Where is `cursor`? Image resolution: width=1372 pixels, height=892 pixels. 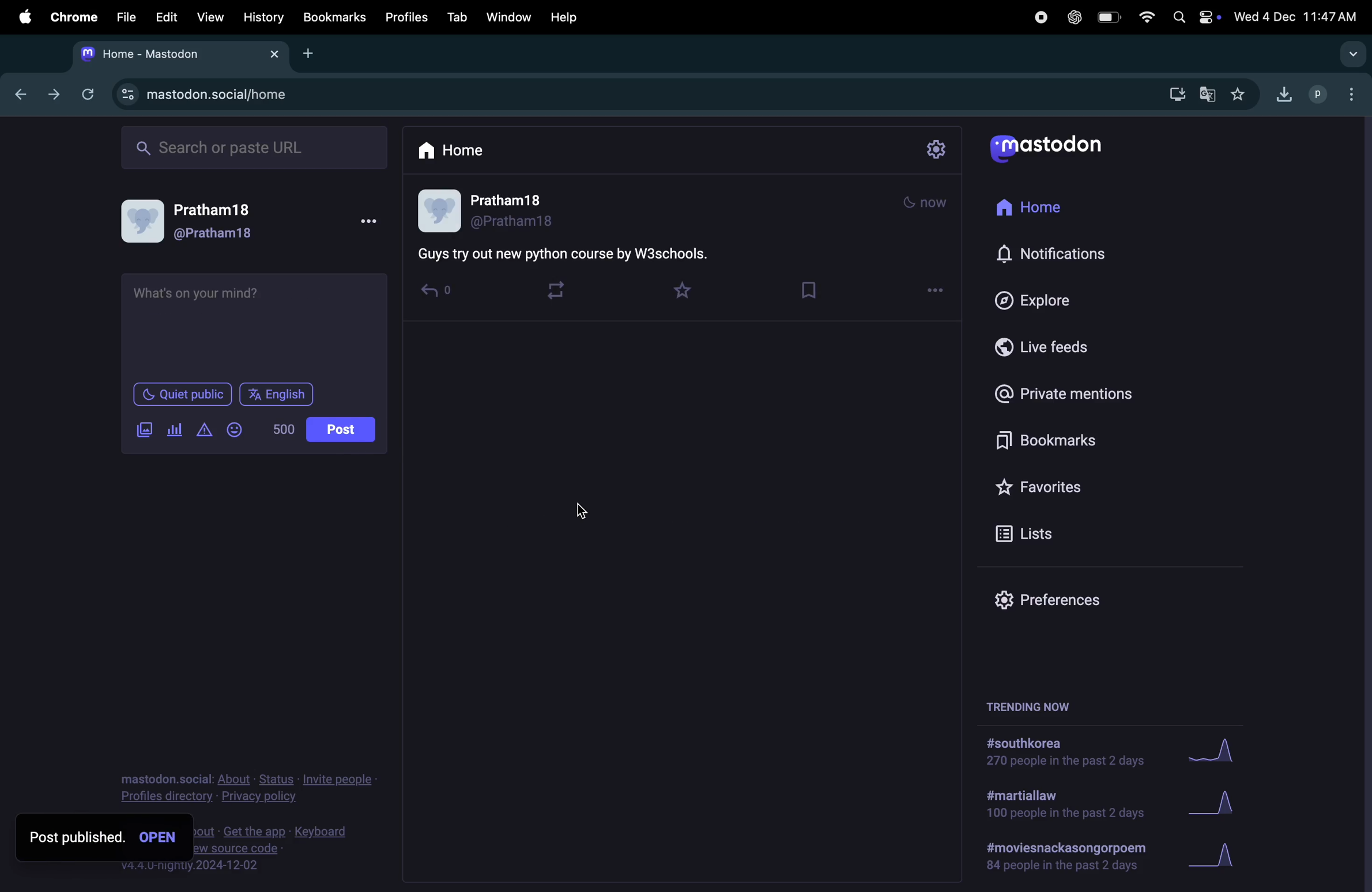
cursor is located at coordinates (586, 513).